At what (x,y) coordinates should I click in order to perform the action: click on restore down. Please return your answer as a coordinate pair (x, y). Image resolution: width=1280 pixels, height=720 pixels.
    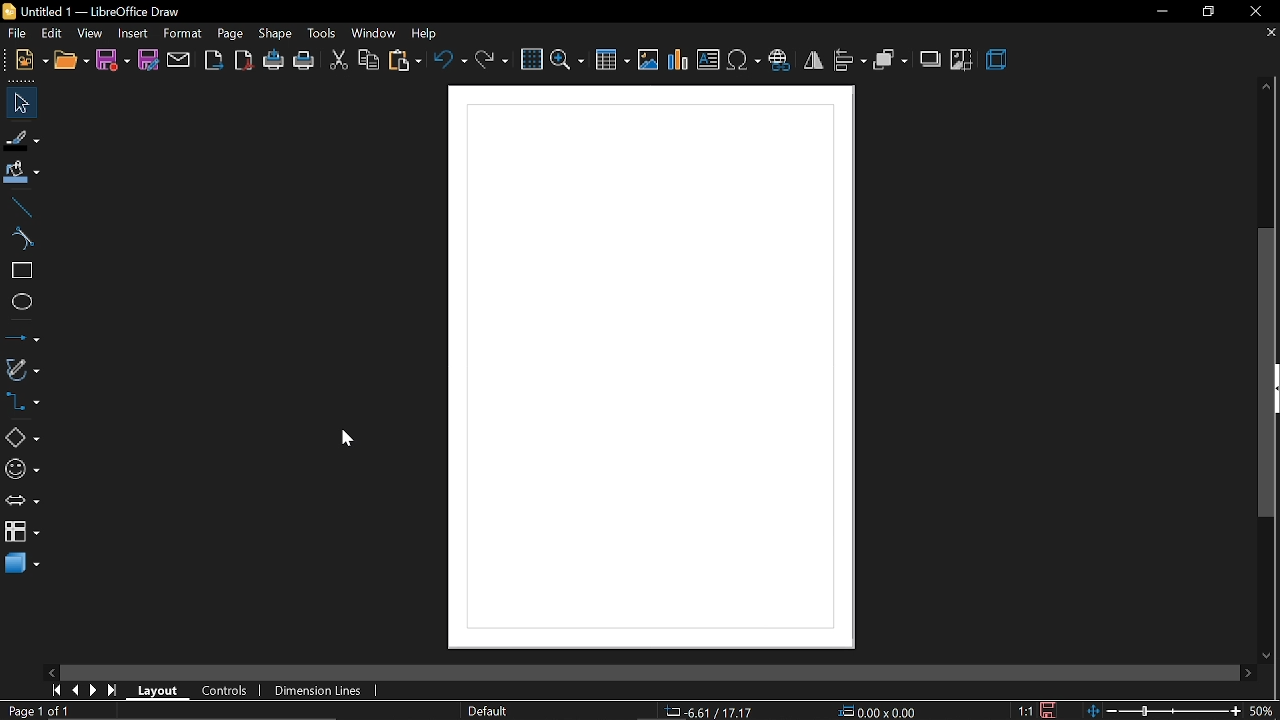
    Looking at the image, I should click on (1204, 12).